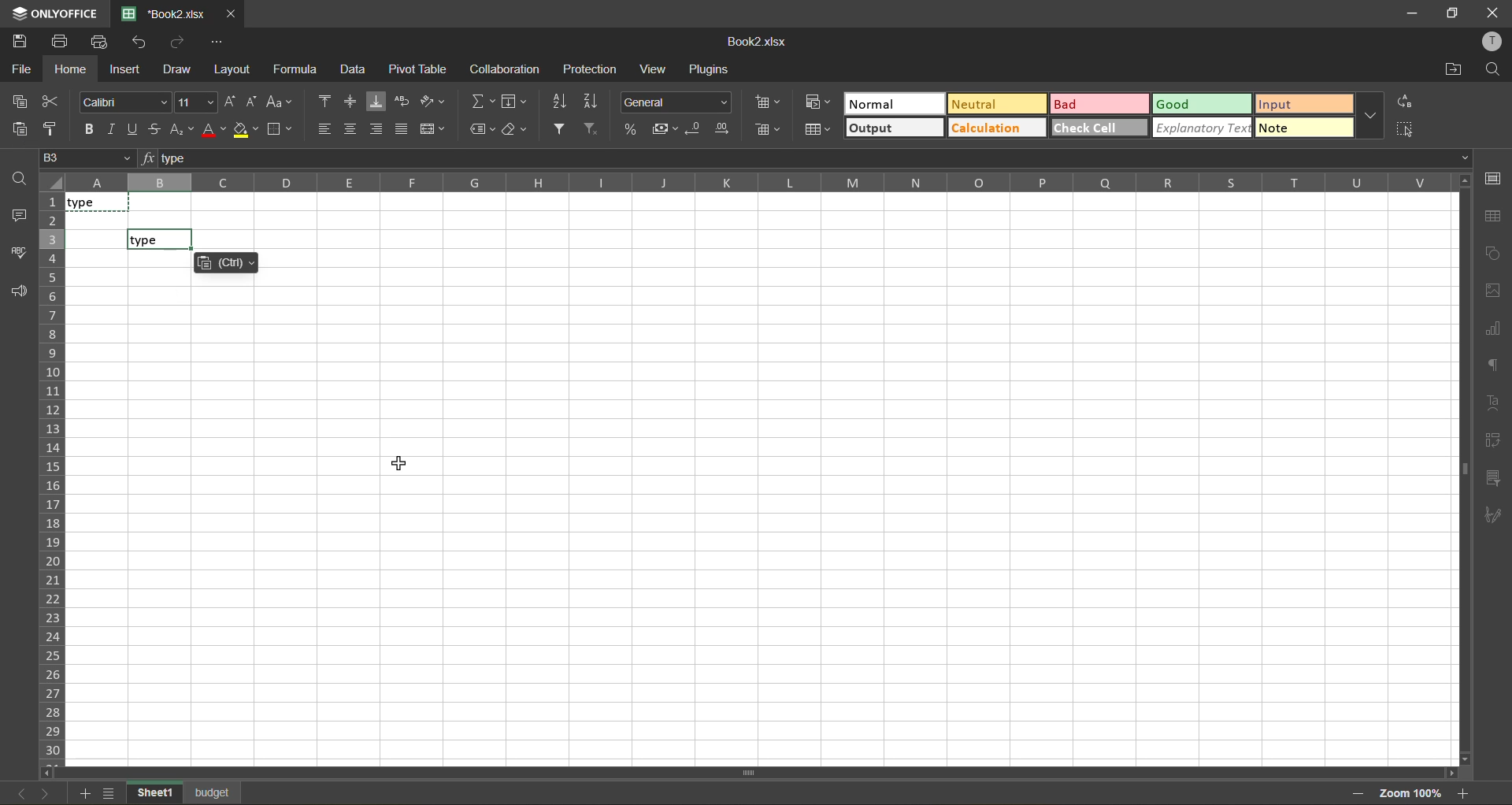 The width and height of the screenshot is (1512, 805). Describe the element at coordinates (1495, 180) in the screenshot. I see `call settings` at that location.